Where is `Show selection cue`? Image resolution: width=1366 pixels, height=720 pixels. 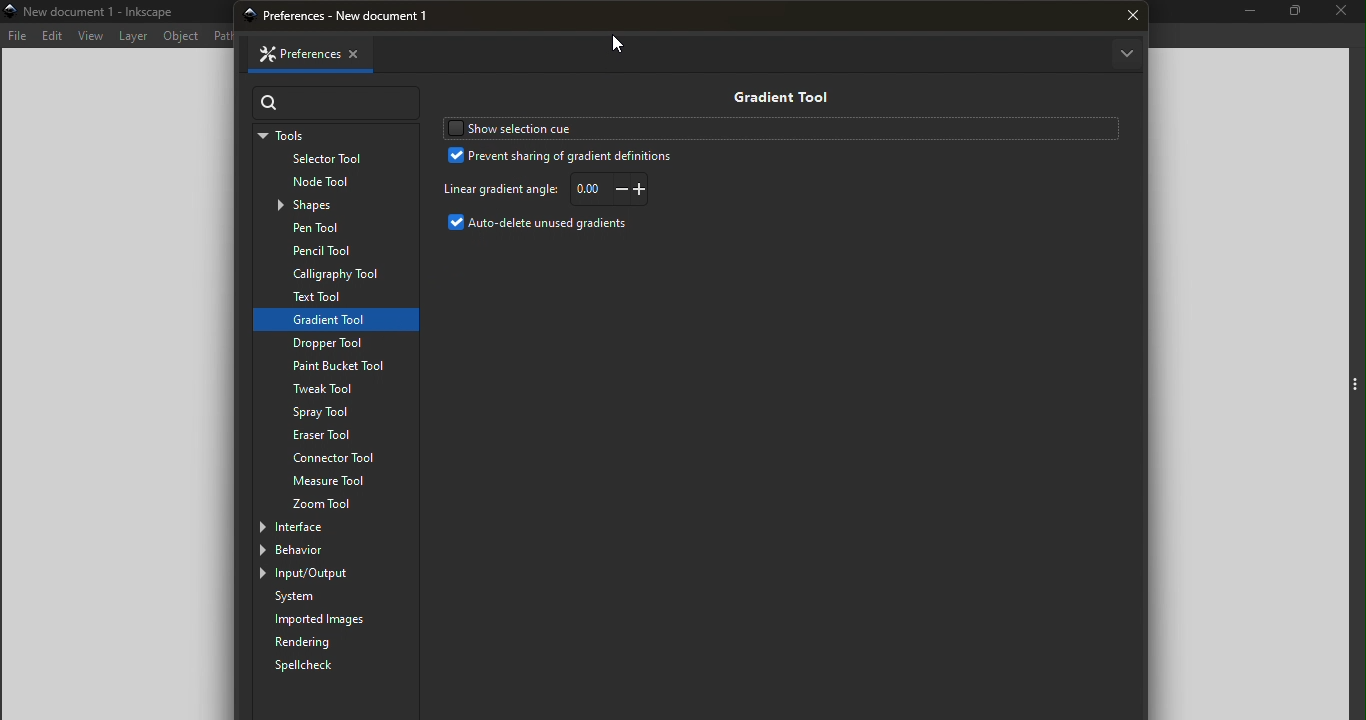
Show selection cue is located at coordinates (573, 128).